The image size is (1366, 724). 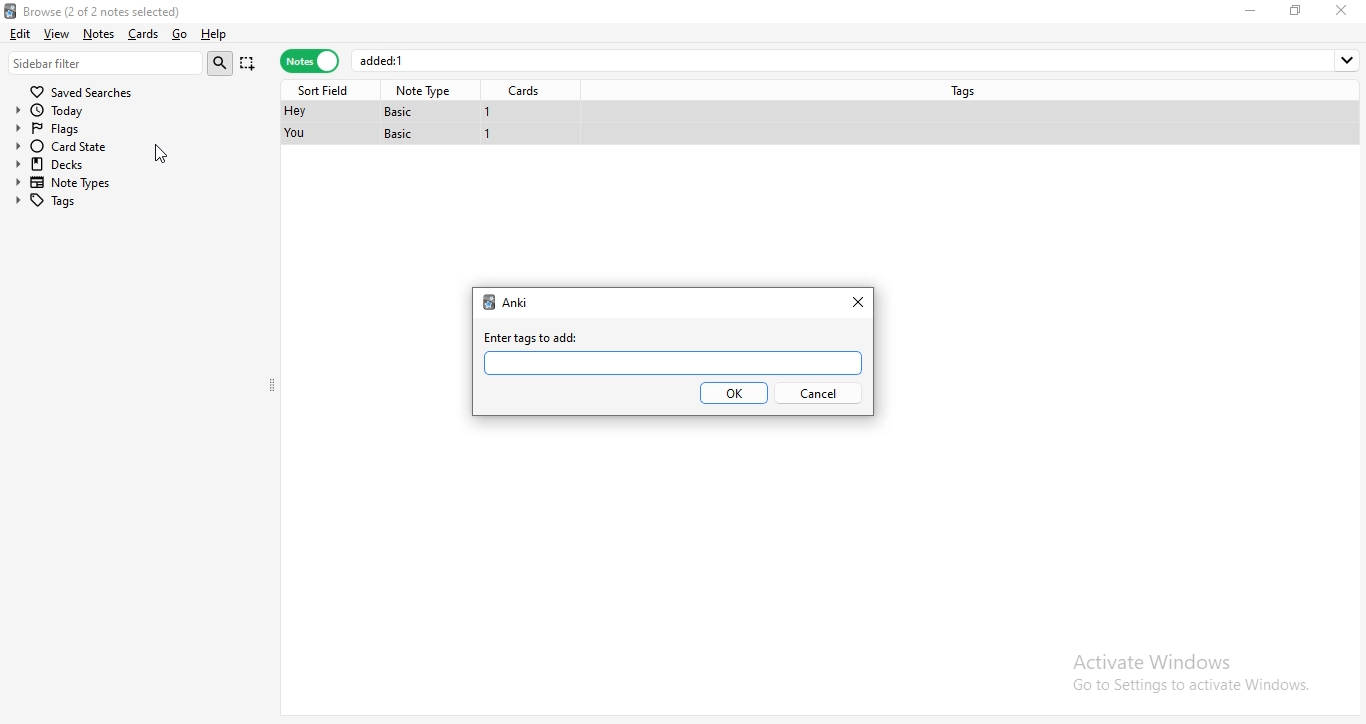 I want to click on cancel, so click(x=817, y=394).